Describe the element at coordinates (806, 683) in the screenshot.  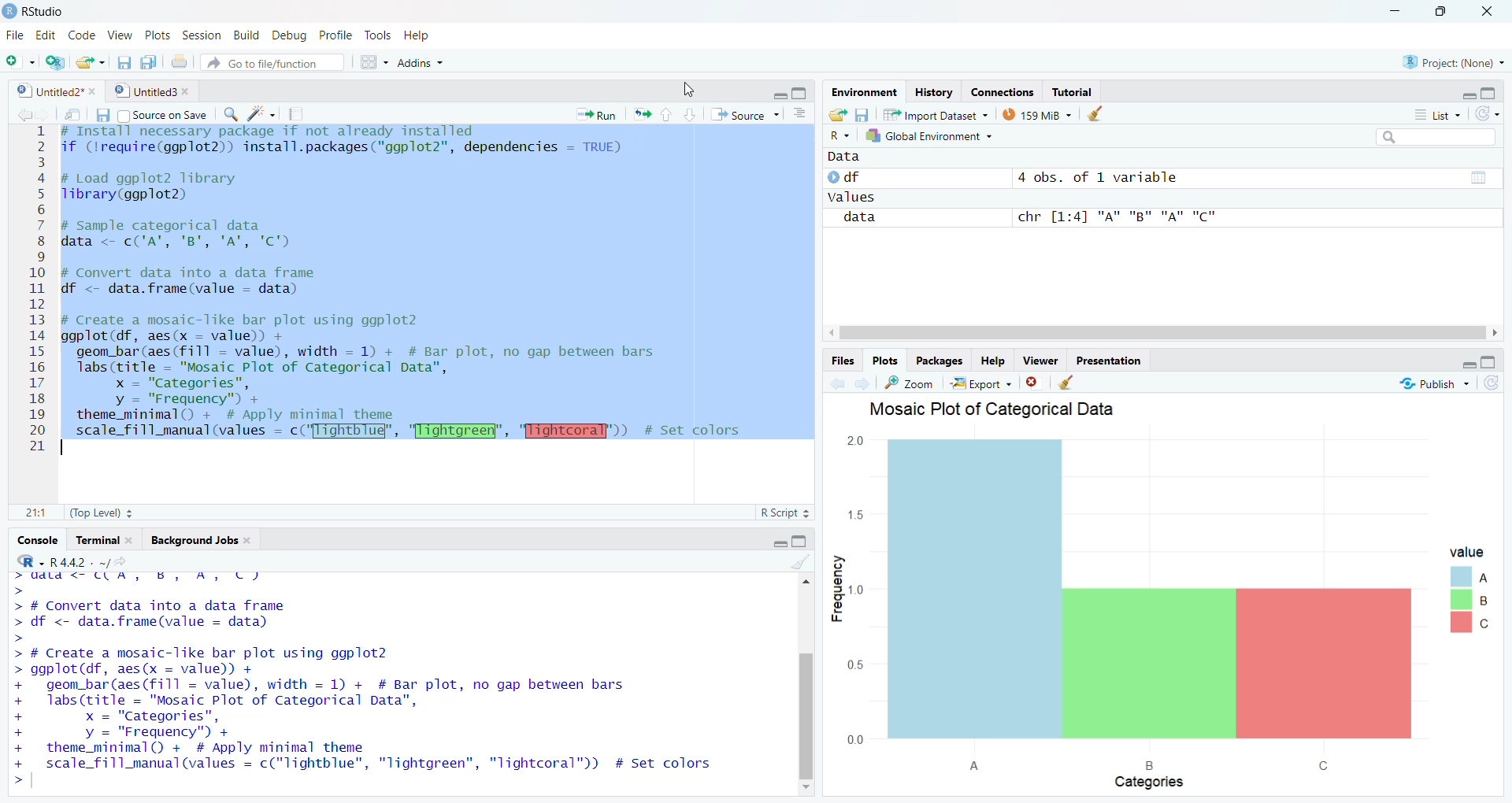
I see `Scroll` at that location.